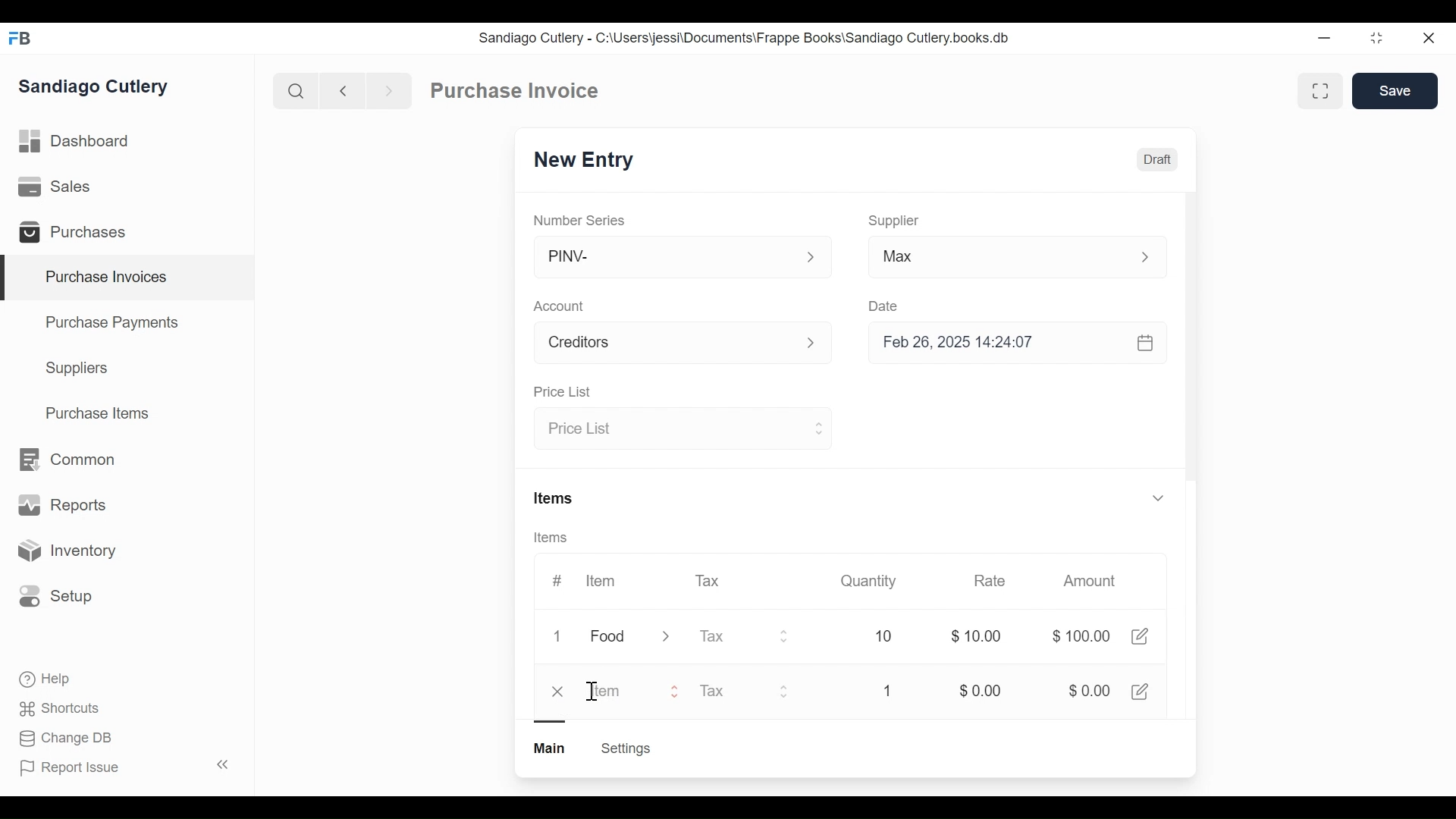 The height and width of the screenshot is (819, 1456). What do you see at coordinates (811, 258) in the screenshot?
I see `Expand` at bounding box center [811, 258].